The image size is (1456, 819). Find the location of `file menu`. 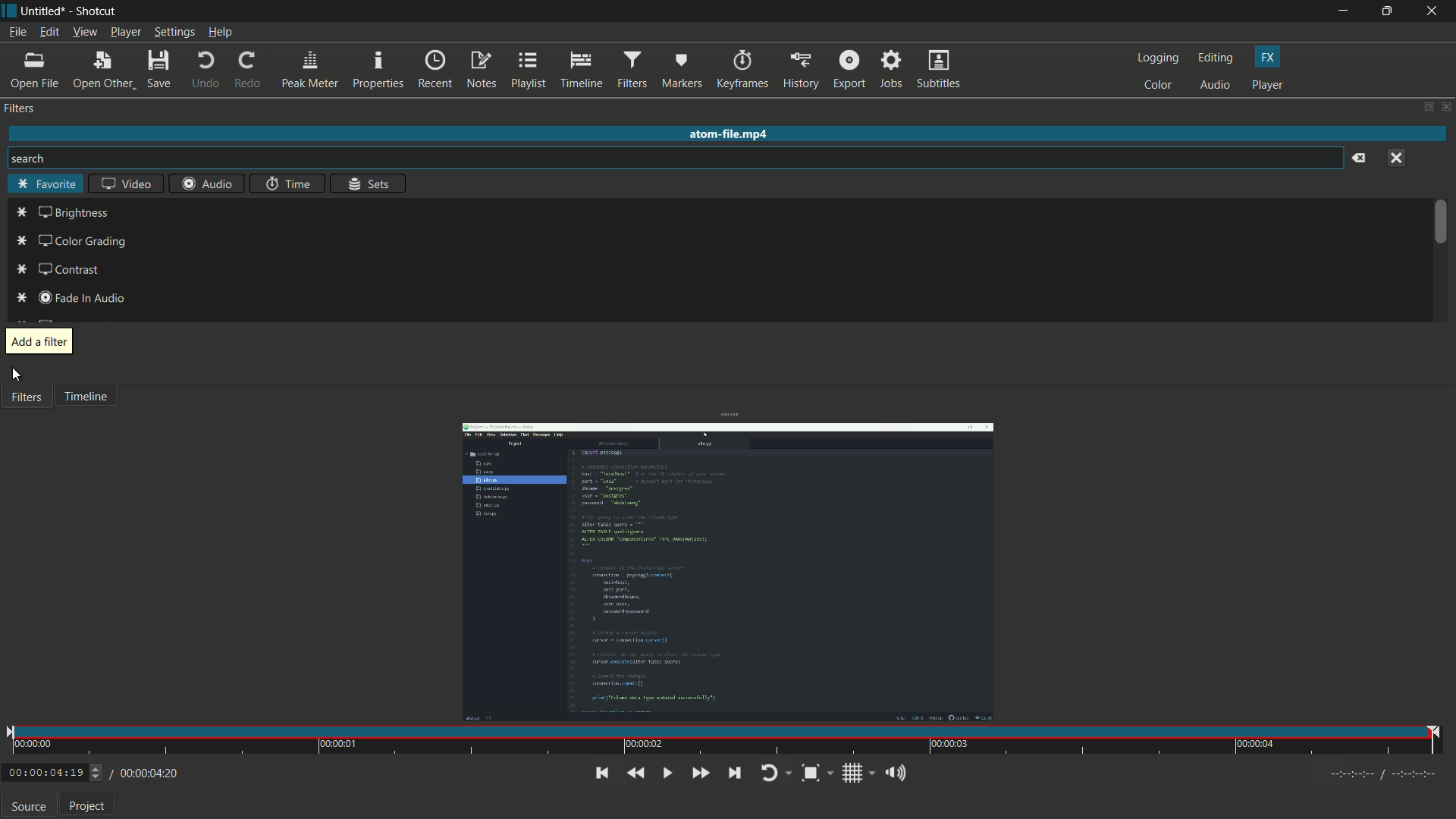

file menu is located at coordinates (17, 34).